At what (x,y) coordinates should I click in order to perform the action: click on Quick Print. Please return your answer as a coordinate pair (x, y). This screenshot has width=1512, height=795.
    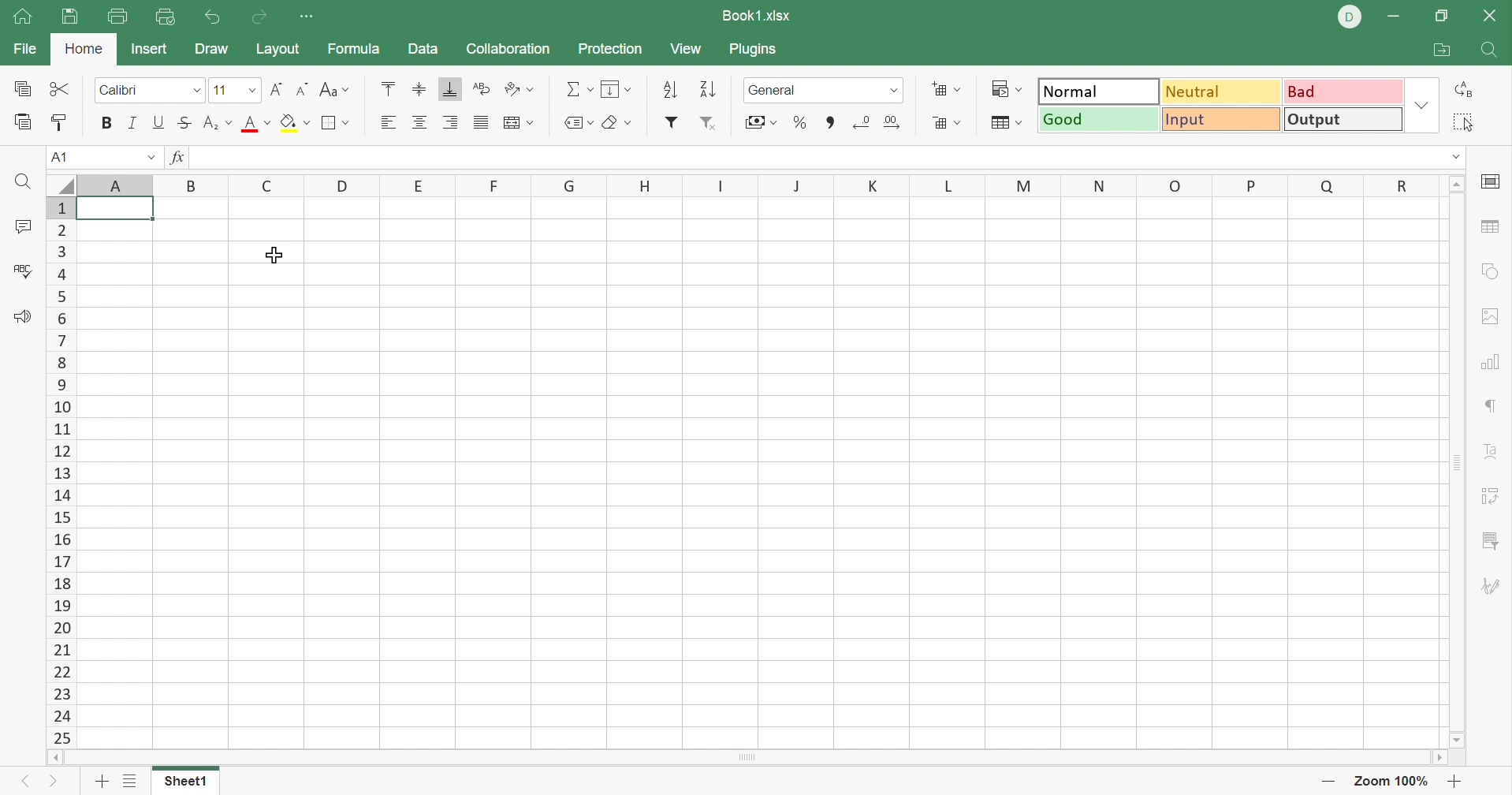
    Looking at the image, I should click on (167, 20).